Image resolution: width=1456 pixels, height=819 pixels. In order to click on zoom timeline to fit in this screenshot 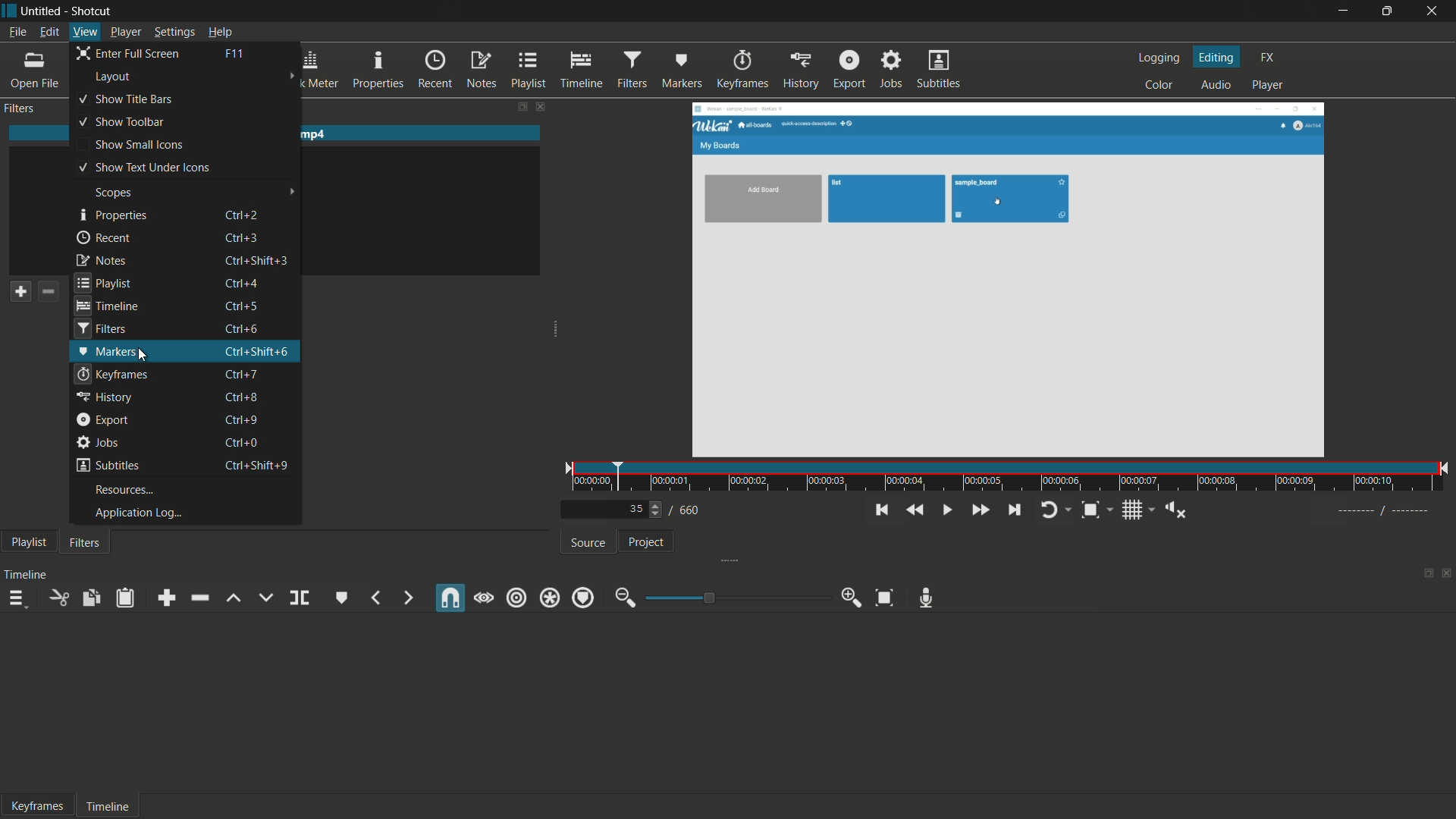, I will do `click(885, 599)`.